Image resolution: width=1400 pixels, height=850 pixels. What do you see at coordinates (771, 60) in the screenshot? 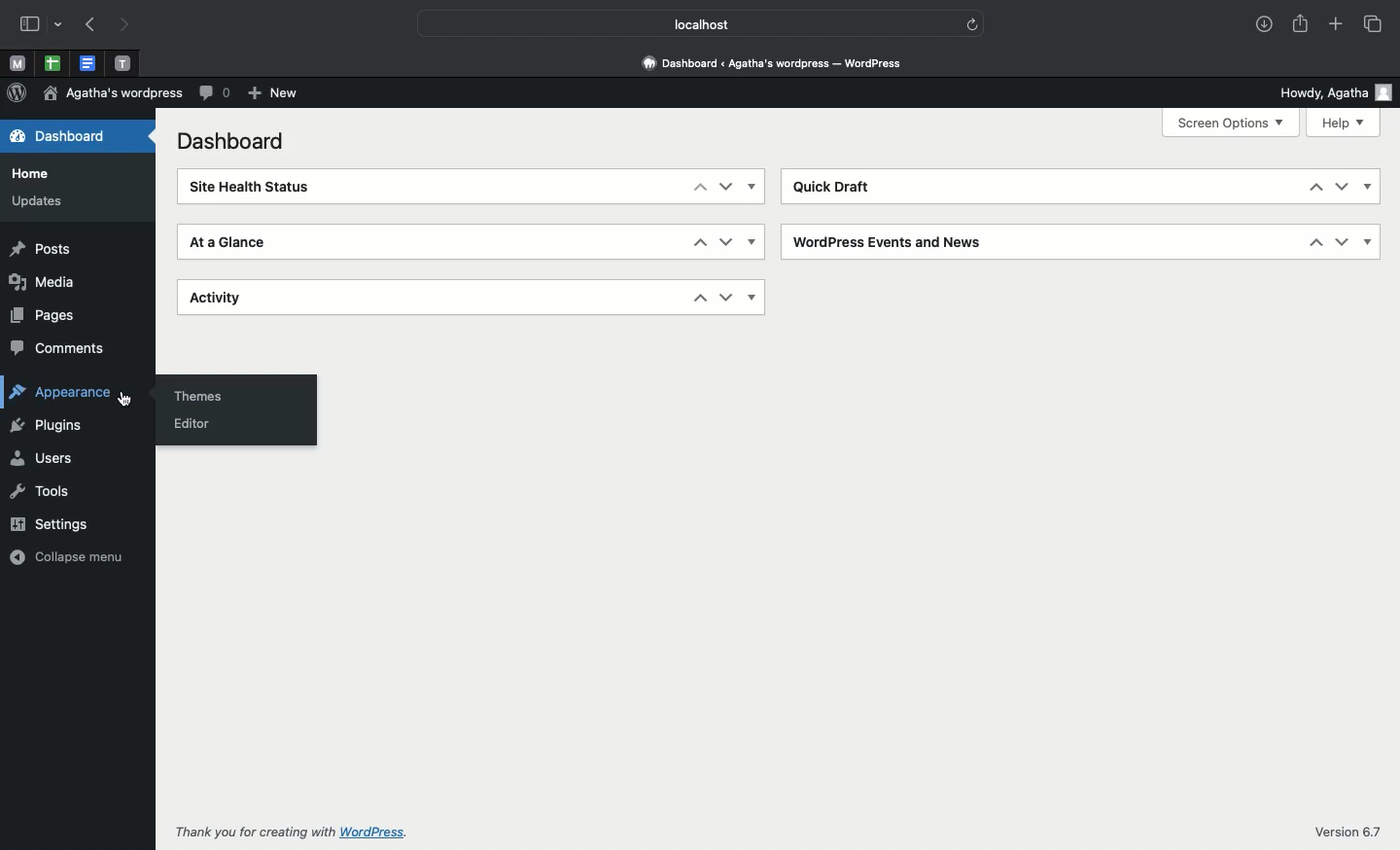
I see `Dashboard <Agatha's wordpress - wordpress` at bounding box center [771, 60].